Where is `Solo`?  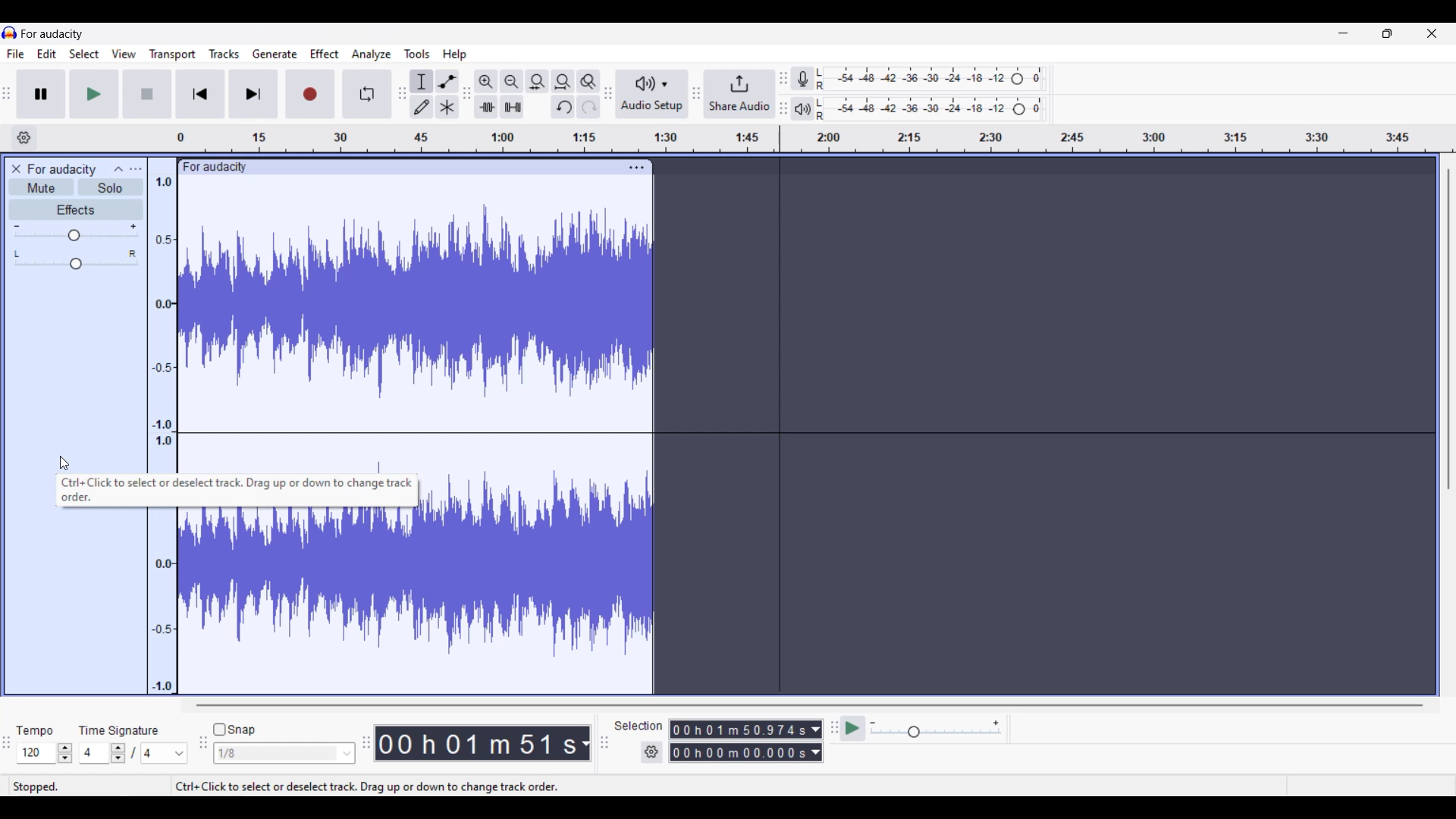
Solo is located at coordinates (111, 187).